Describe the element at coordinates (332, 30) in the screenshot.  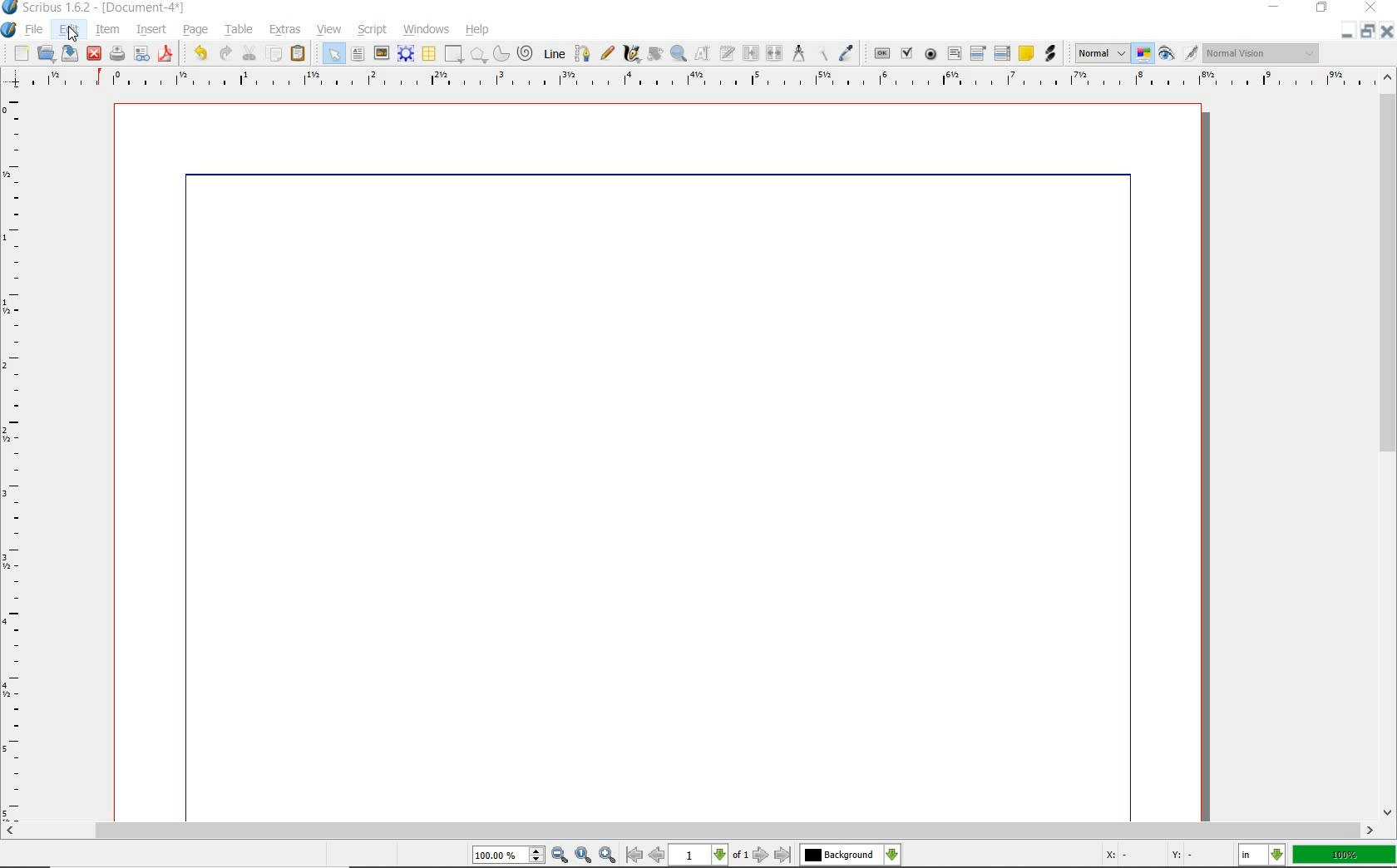
I see `view` at that location.